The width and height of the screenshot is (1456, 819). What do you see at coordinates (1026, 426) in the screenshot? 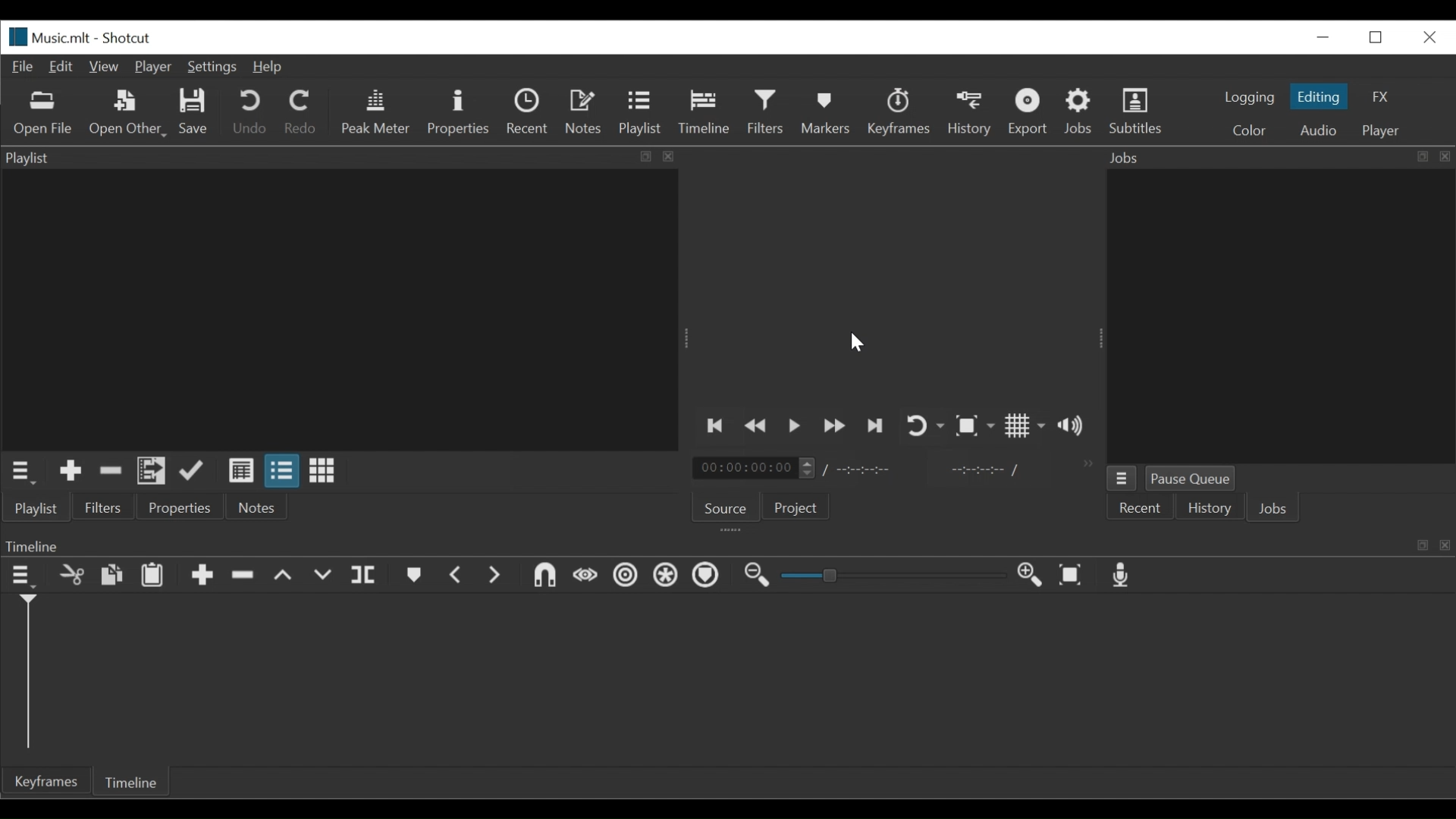
I see `Toggle display grid on the player` at bounding box center [1026, 426].